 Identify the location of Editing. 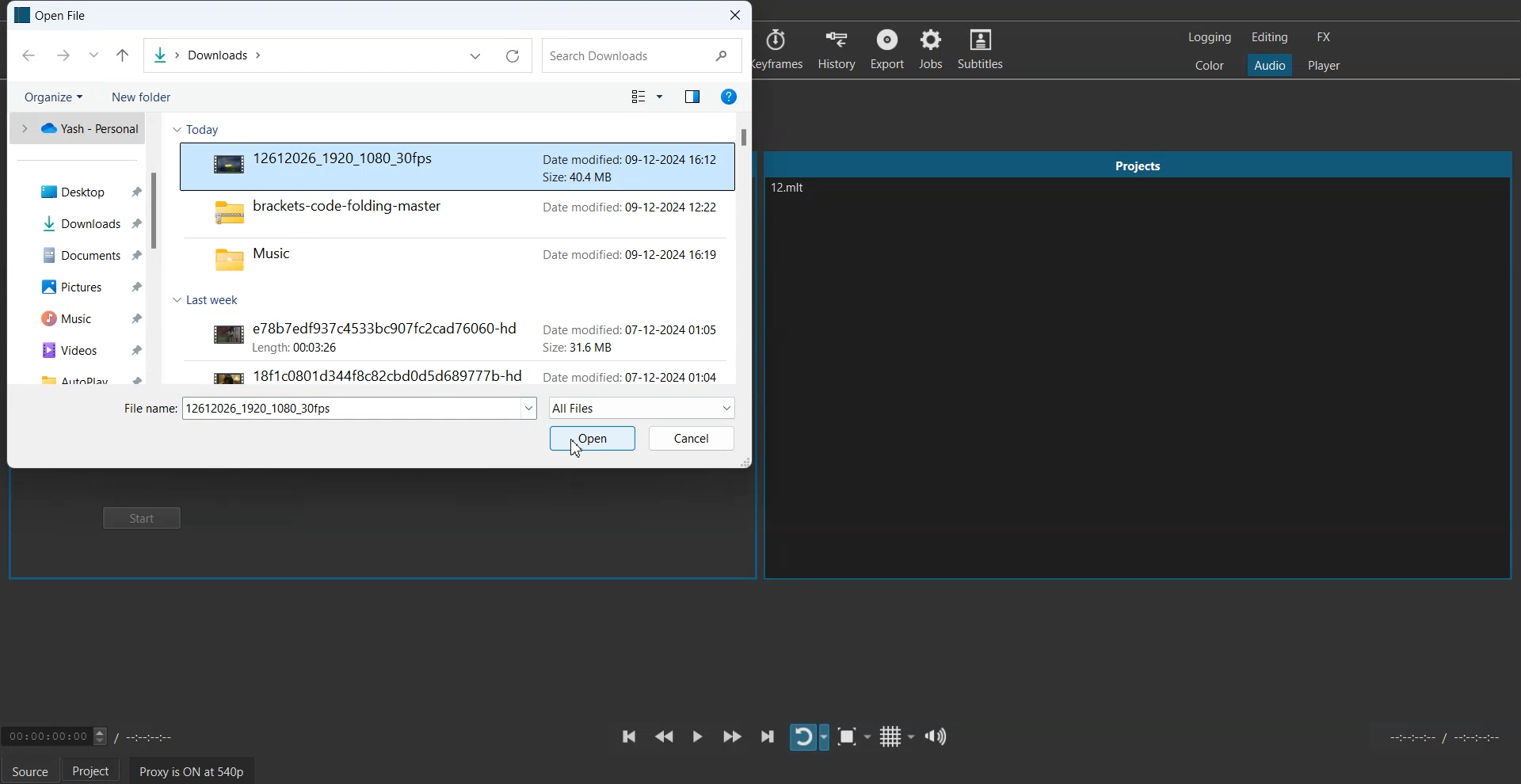
(1270, 36).